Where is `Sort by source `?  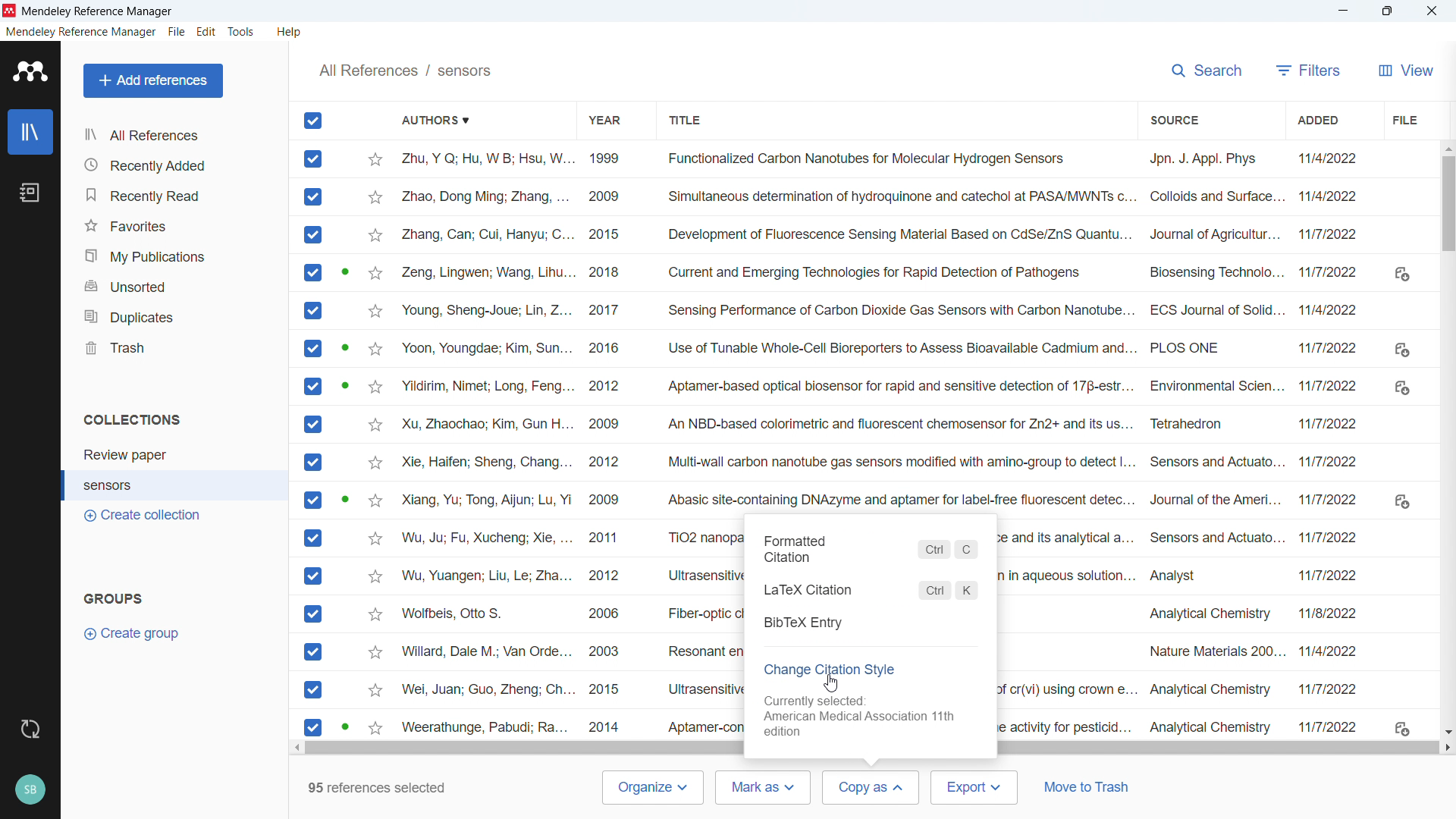 Sort by source  is located at coordinates (1172, 119).